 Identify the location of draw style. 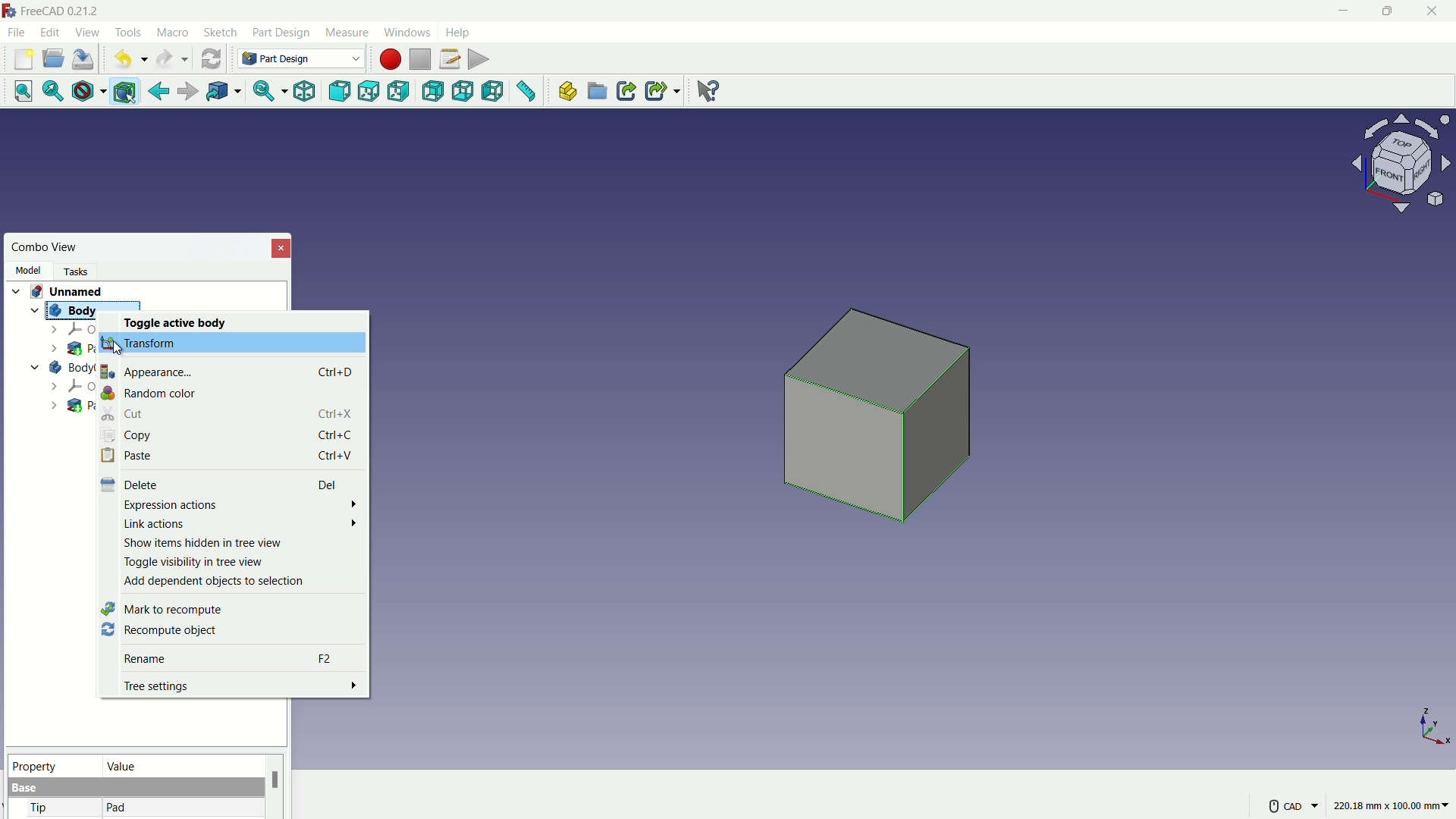
(86, 92).